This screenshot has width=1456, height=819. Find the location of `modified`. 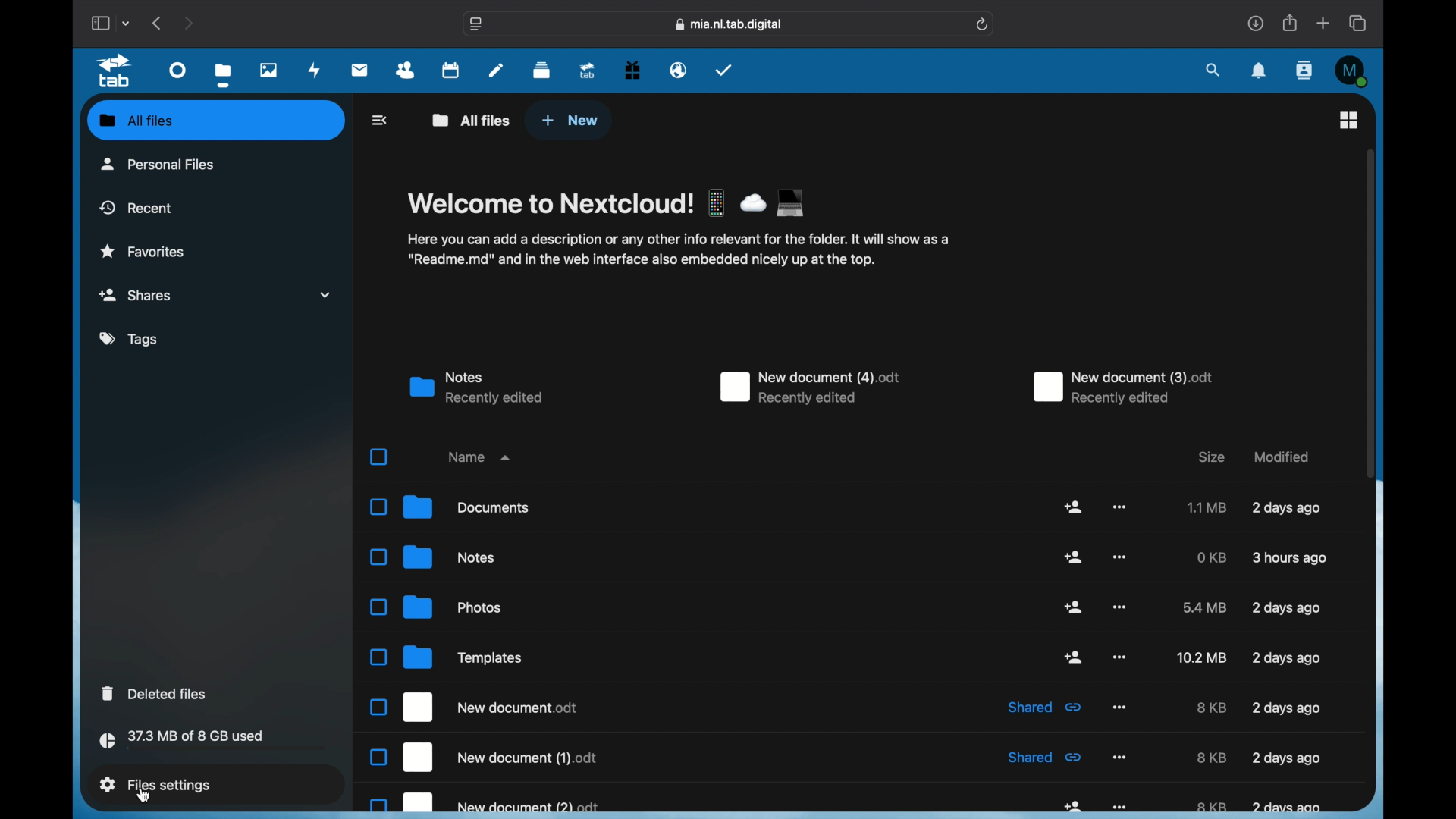

modified is located at coordinates (1285, 757).